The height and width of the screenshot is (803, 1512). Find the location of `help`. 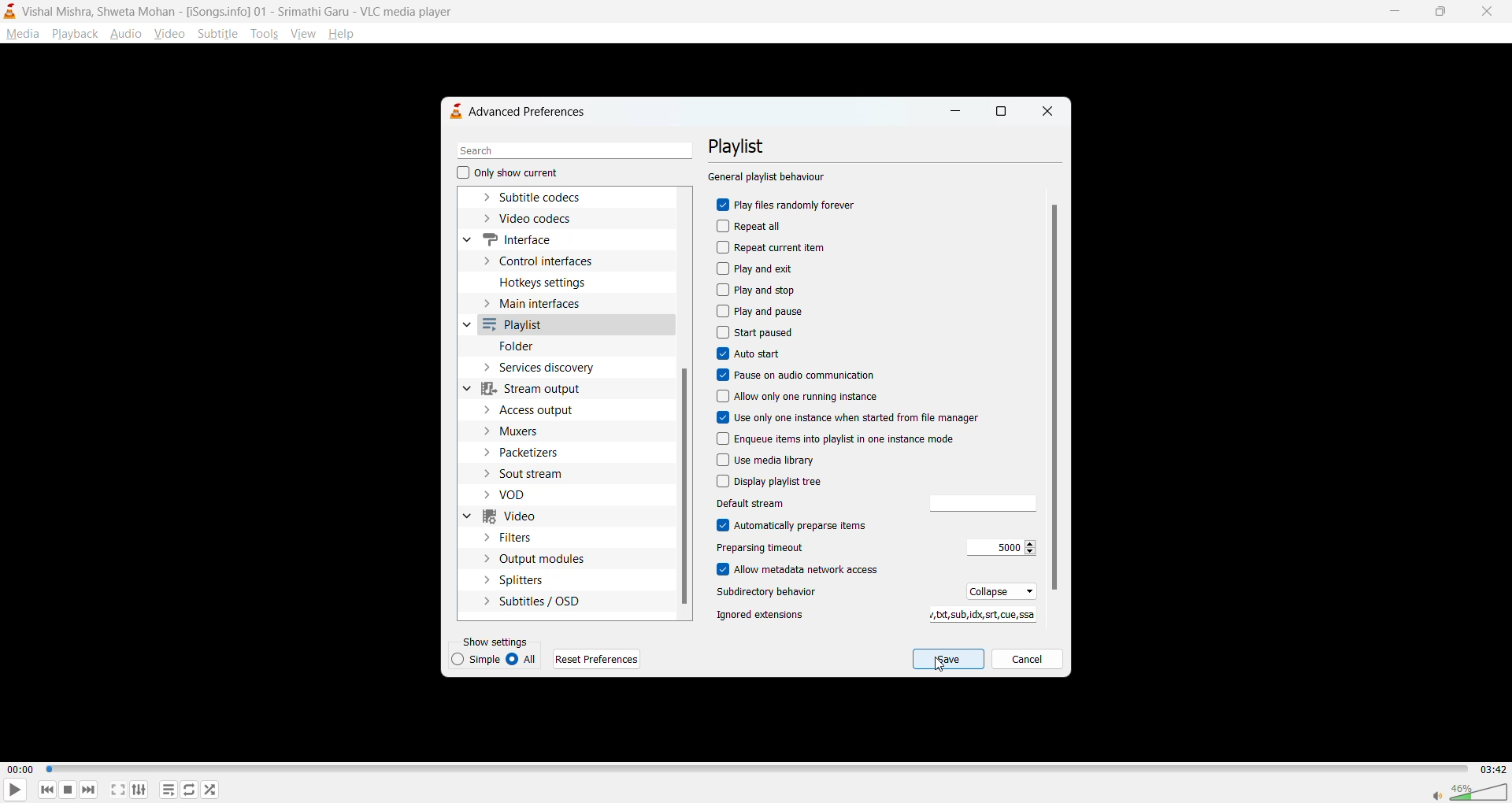

help is located at coordinates (344, 35).